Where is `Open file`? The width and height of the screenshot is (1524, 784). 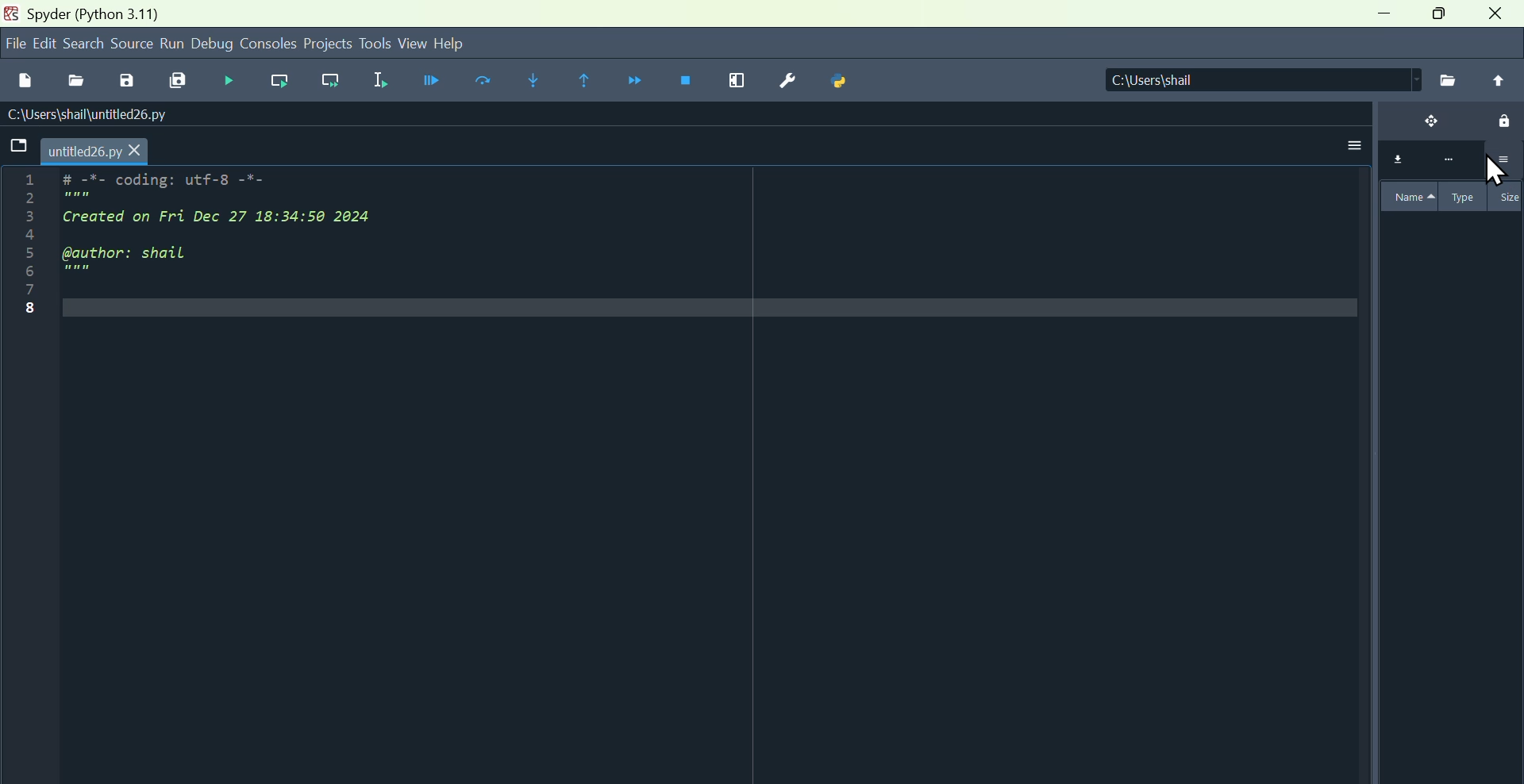
Open file is located at coordinates (74, 78).